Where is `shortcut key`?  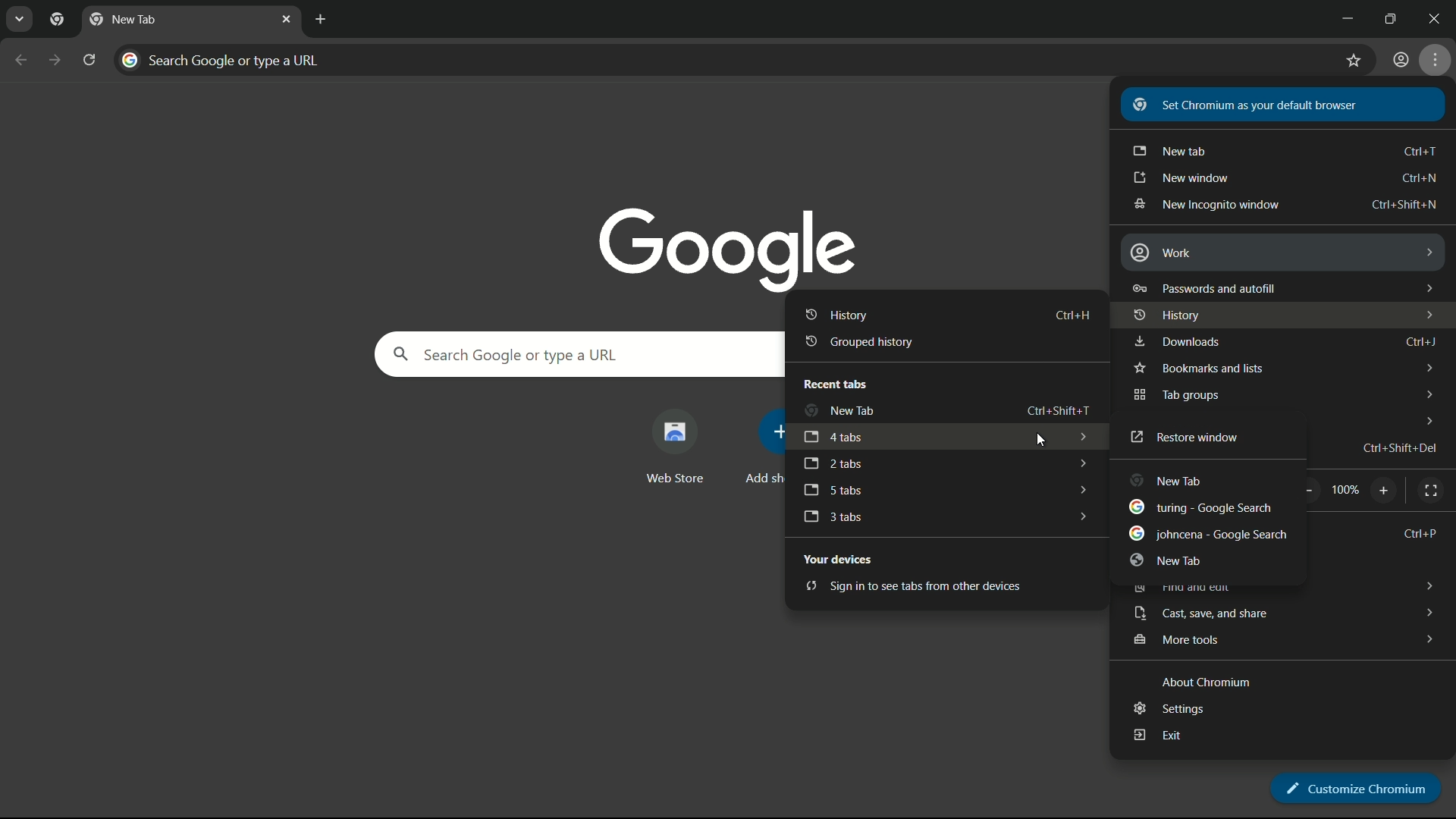
shortcut key is located at coordinates (1072, 313).